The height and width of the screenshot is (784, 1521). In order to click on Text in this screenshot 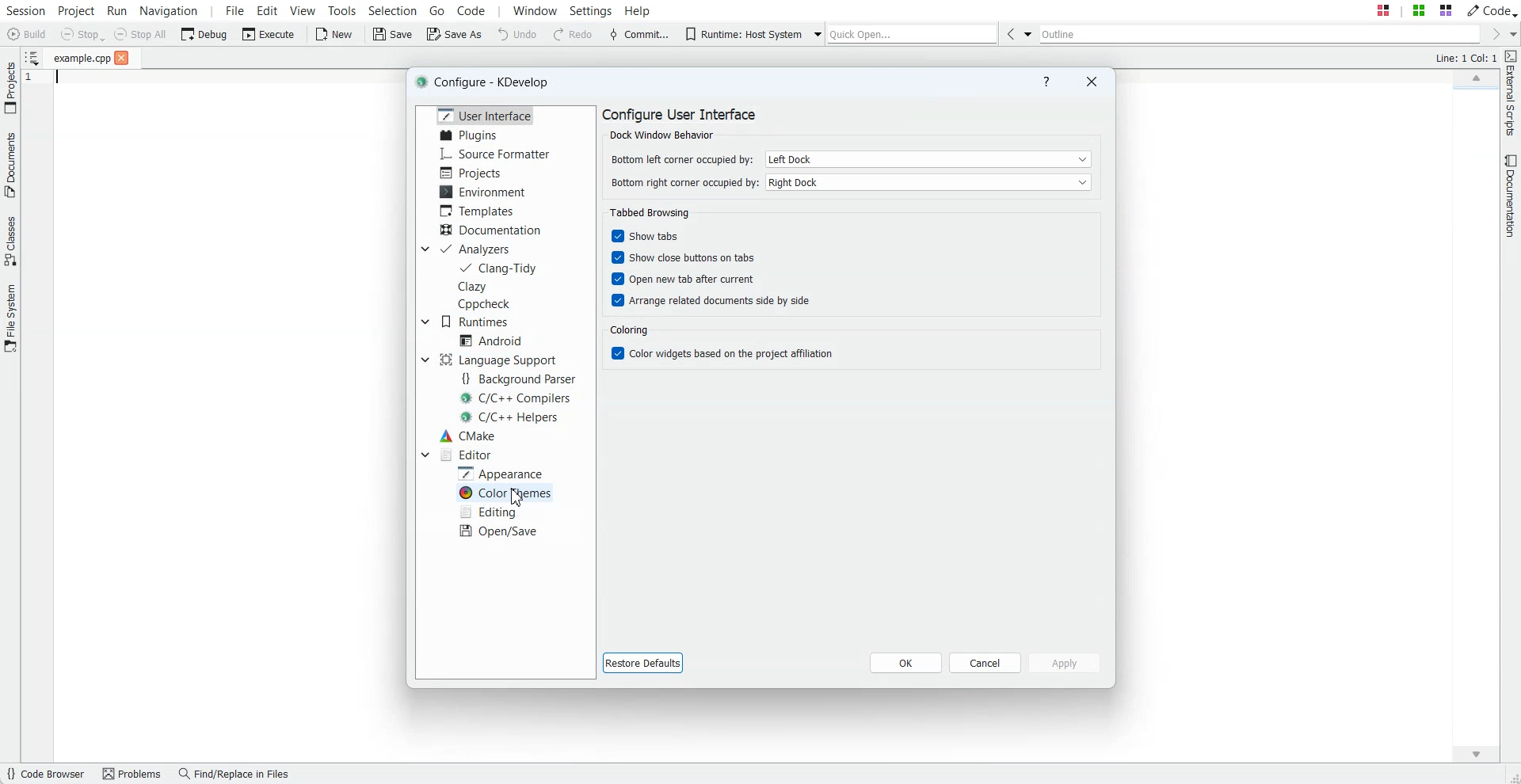, I will do `click(489, 82)`.